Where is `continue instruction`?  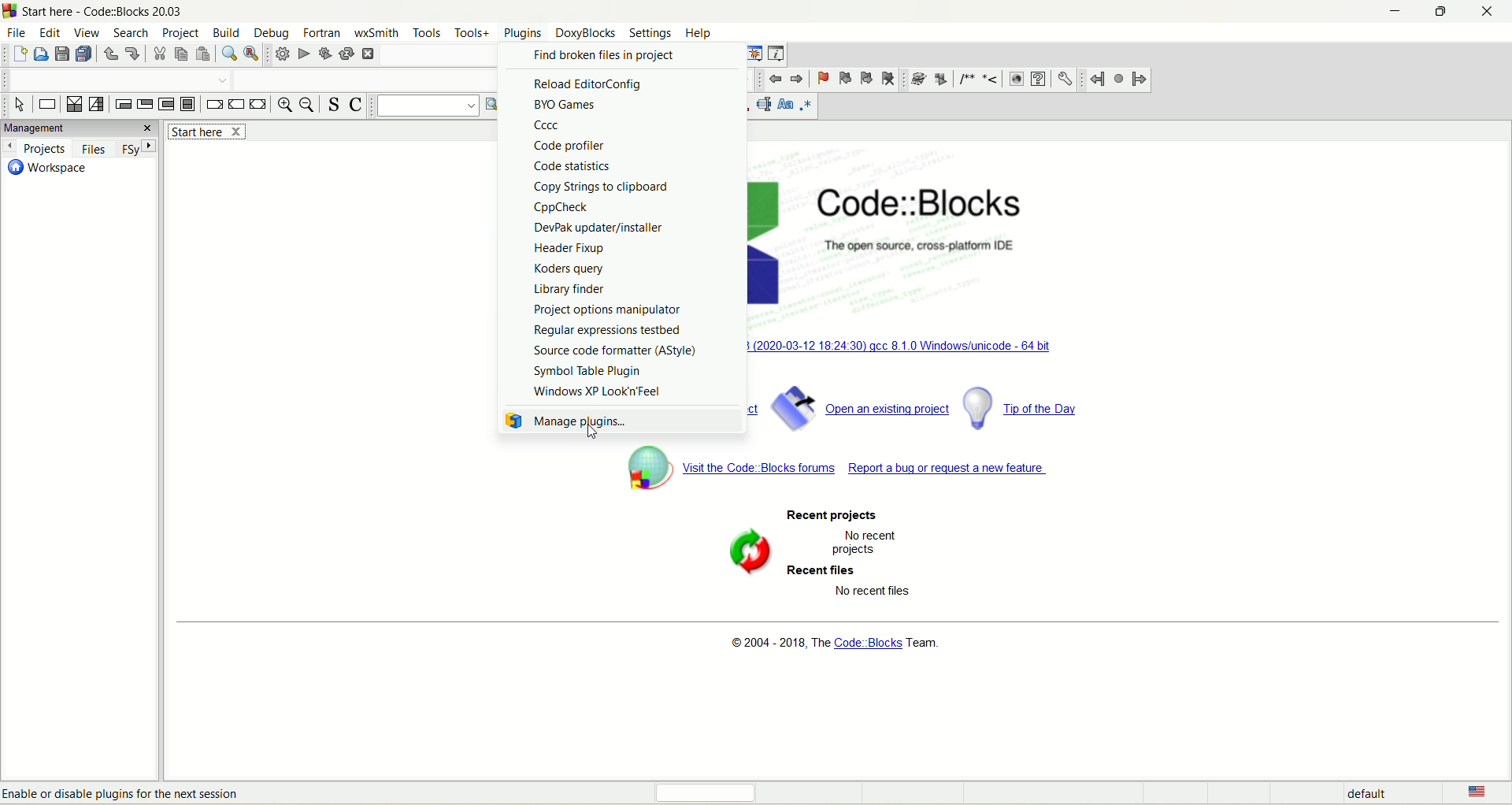 continue instruction is located at coordinates (235, 105).